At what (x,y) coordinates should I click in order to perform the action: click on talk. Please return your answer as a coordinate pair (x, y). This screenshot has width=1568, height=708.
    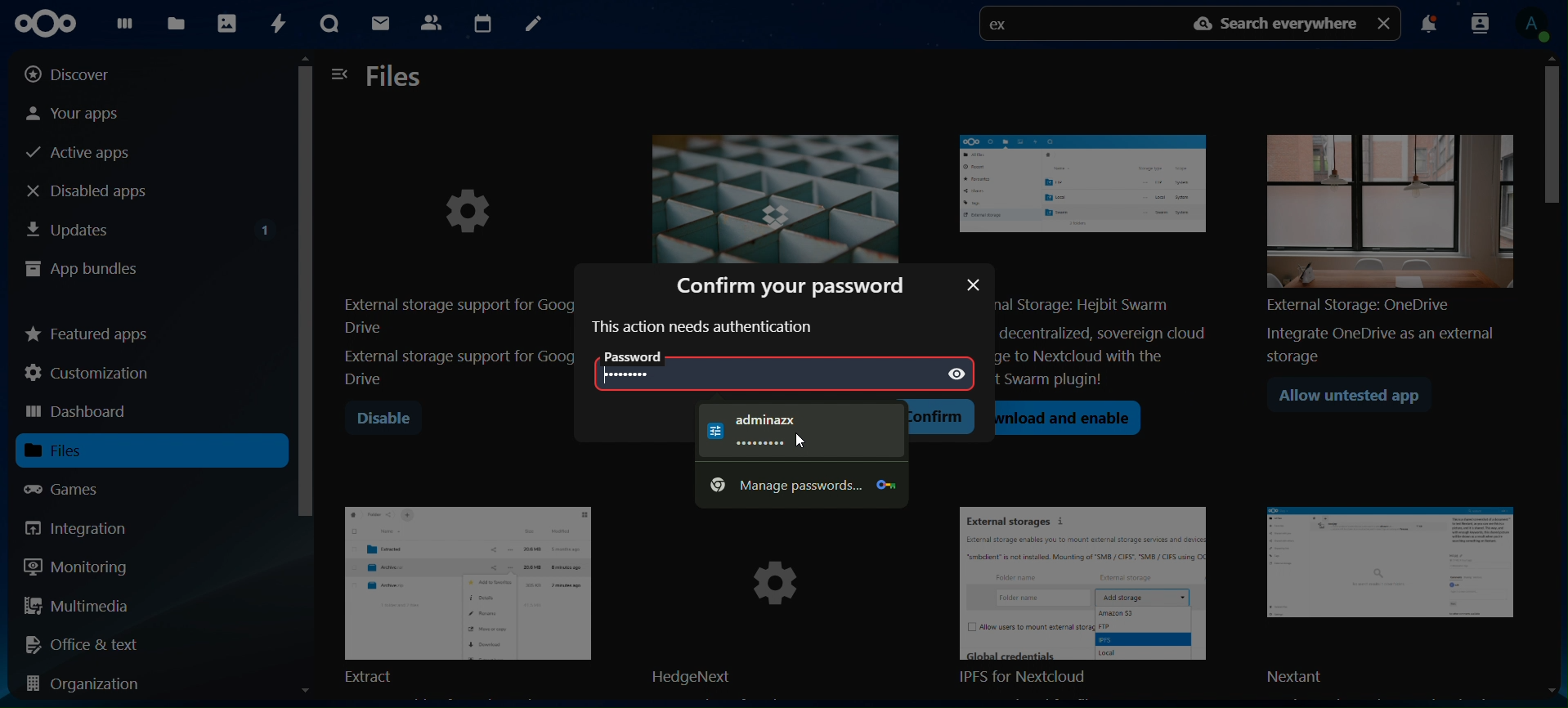
    Looking at the image, I should click on (329, 24).